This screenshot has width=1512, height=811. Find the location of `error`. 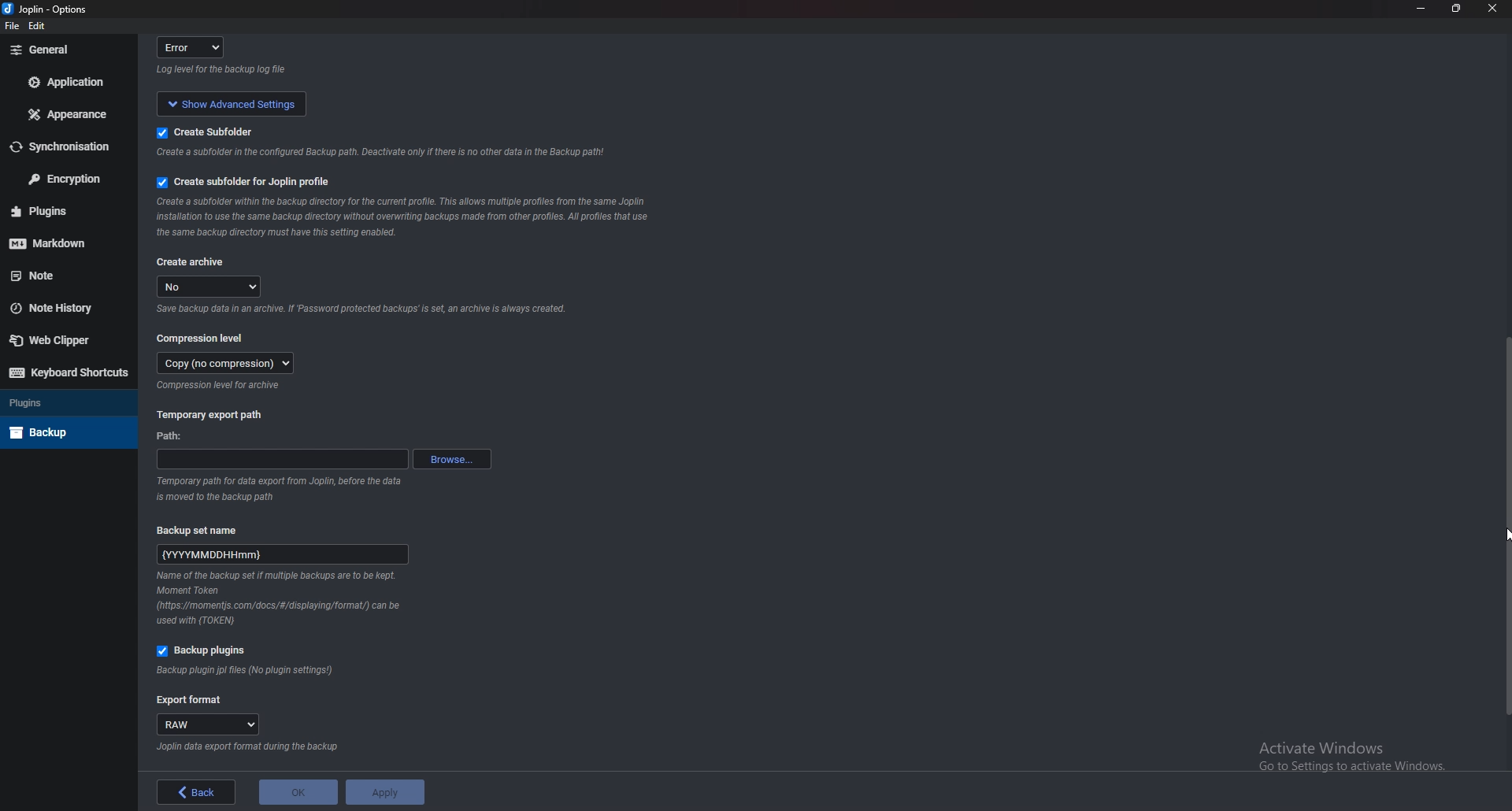

error is located at coordinates (195, 46).